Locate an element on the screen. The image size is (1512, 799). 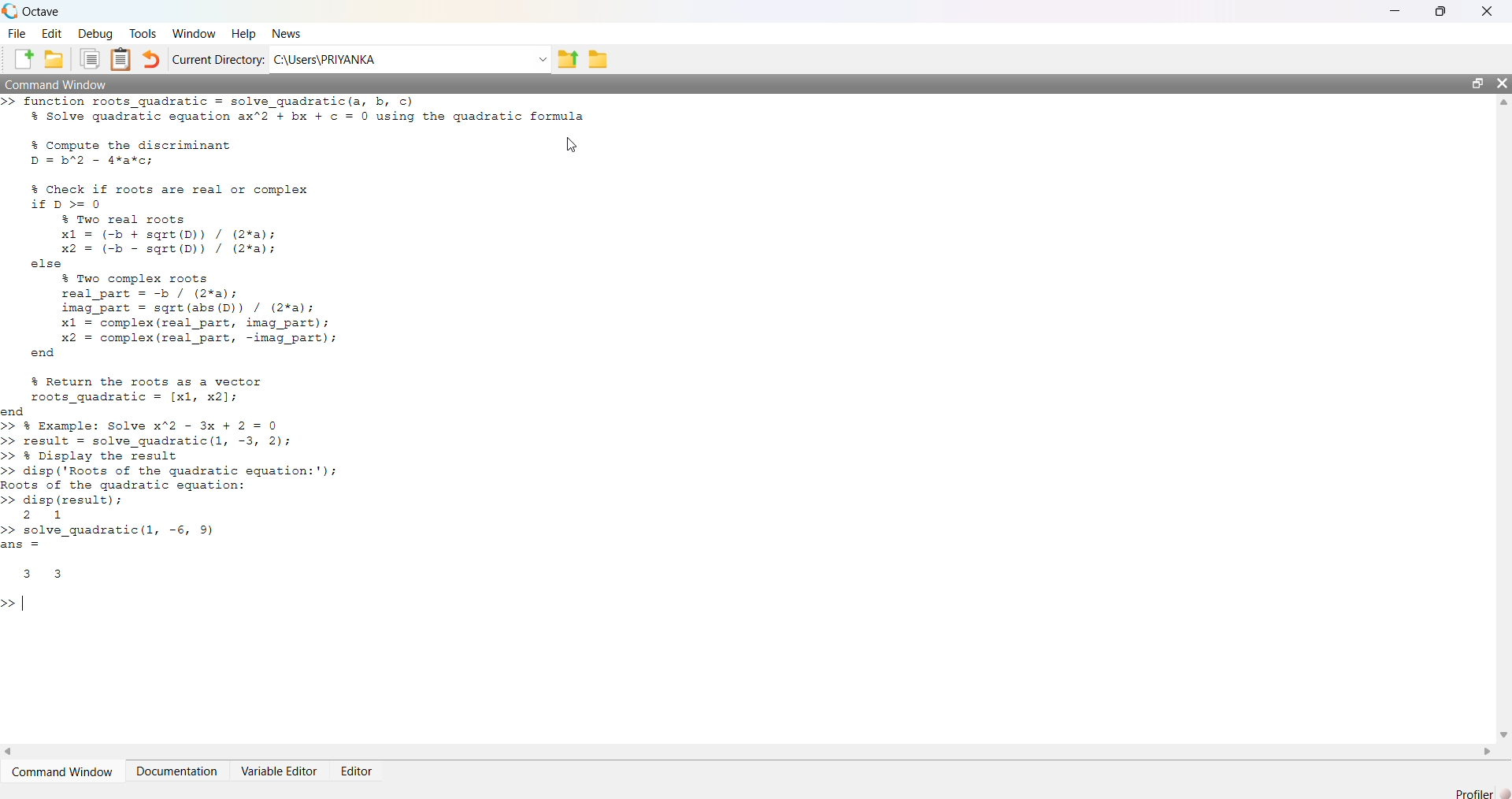
Dropdown is located at coordinates (542, 59).